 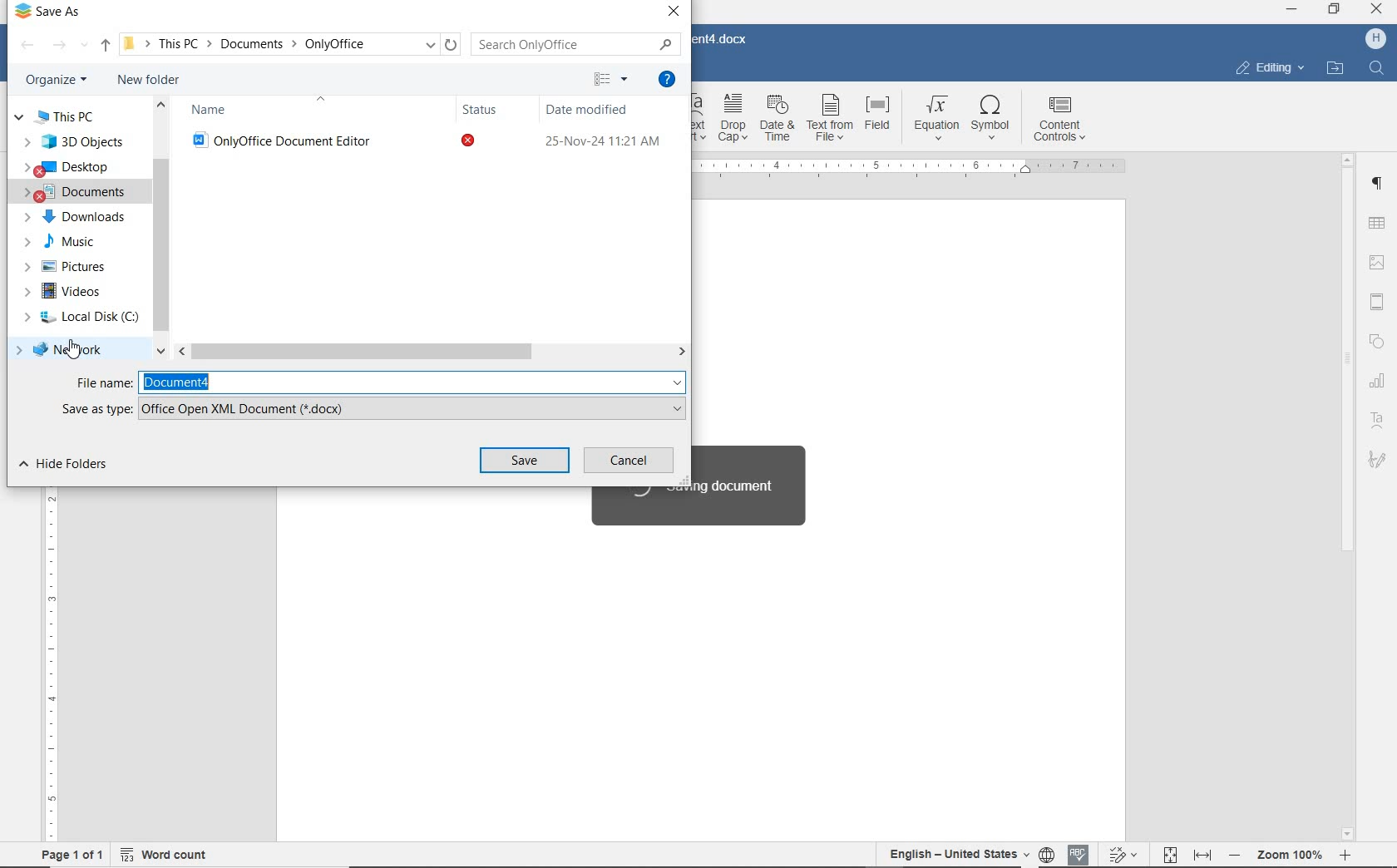 I want to click on local disk (C), so click(x=79, y=316).